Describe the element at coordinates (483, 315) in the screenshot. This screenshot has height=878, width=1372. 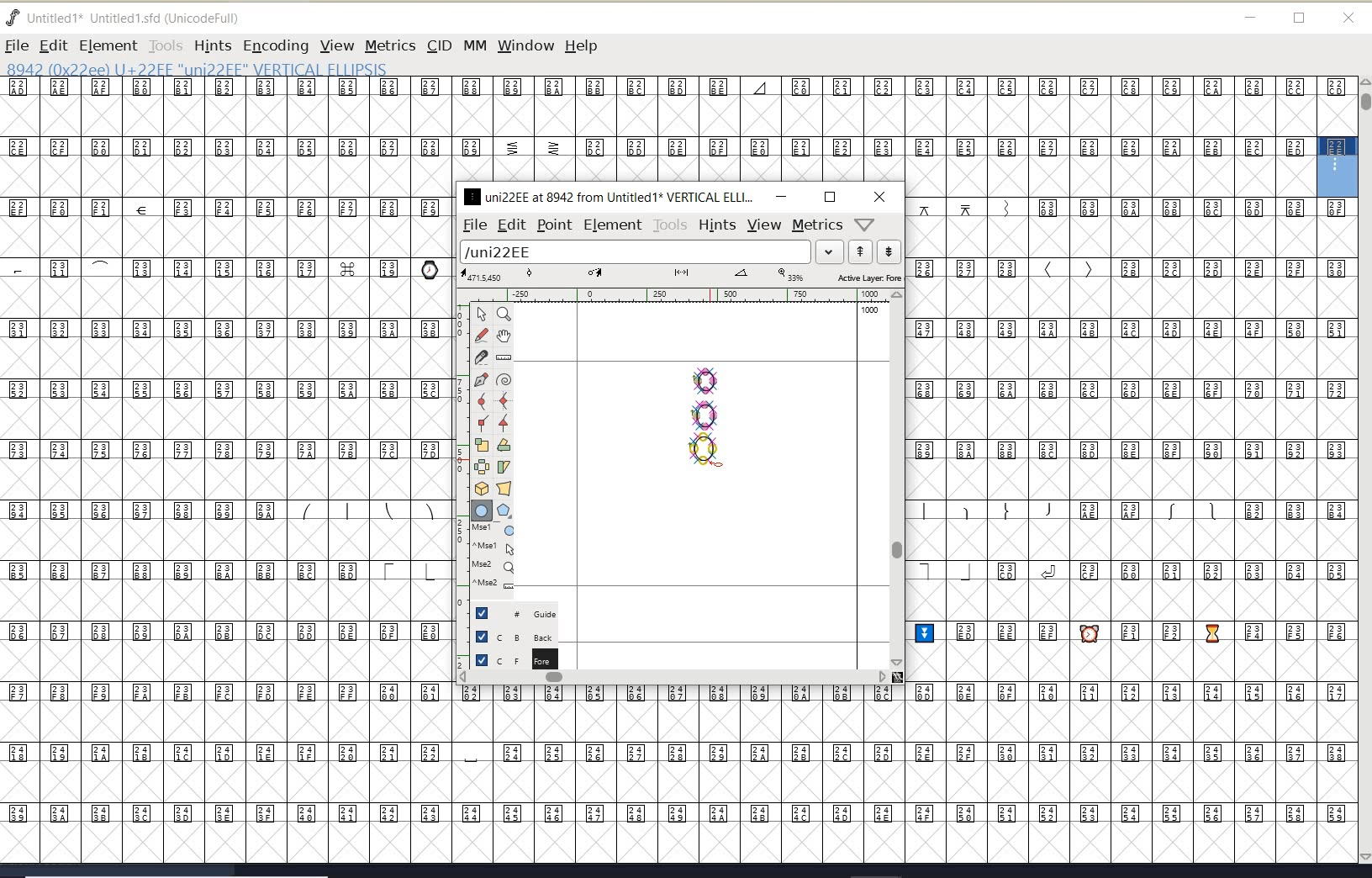
I see `pointer` at that location.